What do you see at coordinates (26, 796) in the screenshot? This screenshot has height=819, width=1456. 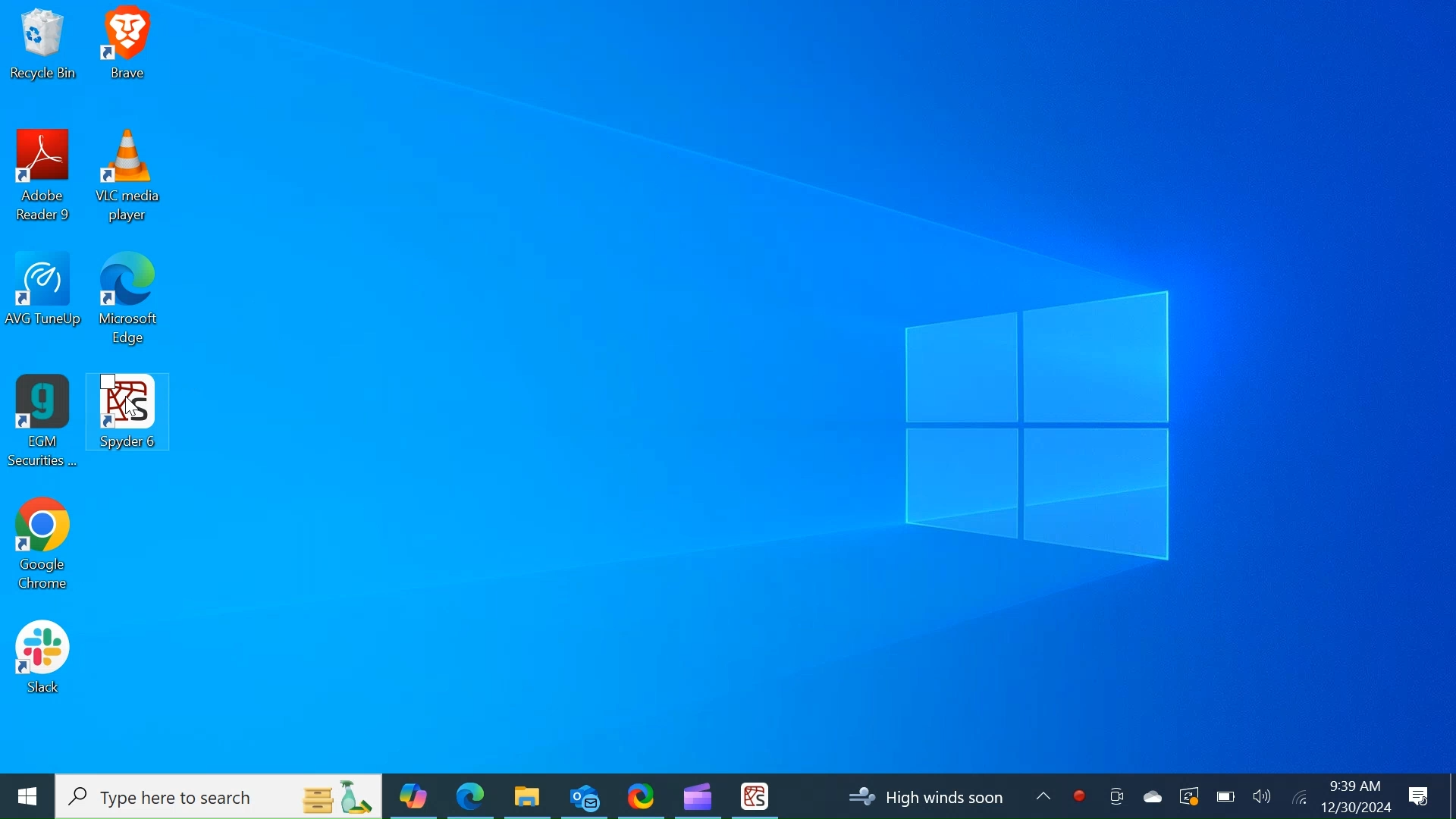 I see `start` at bounding box center [26, 796].